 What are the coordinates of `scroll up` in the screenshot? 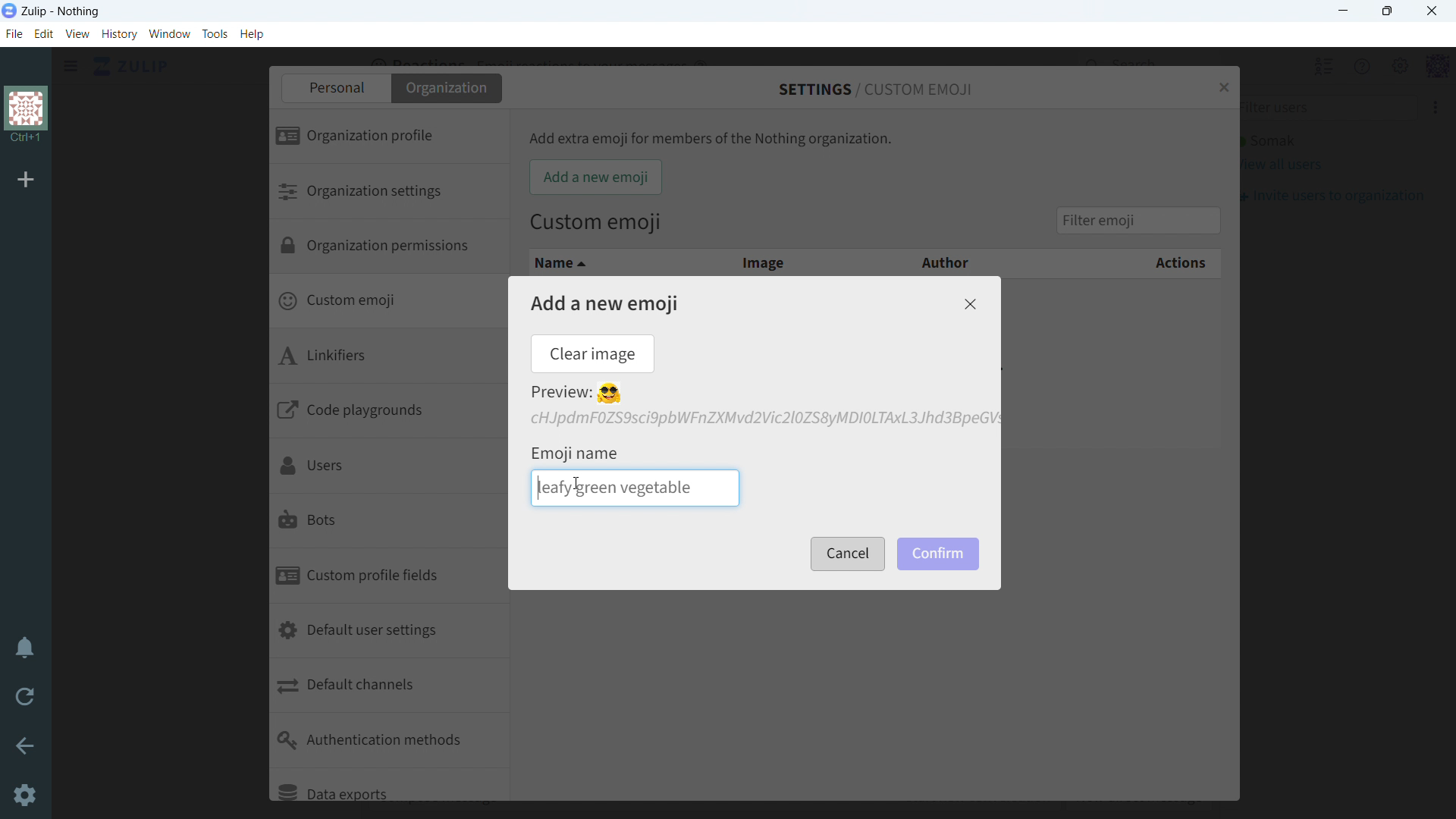 It's located at (1447, 55).